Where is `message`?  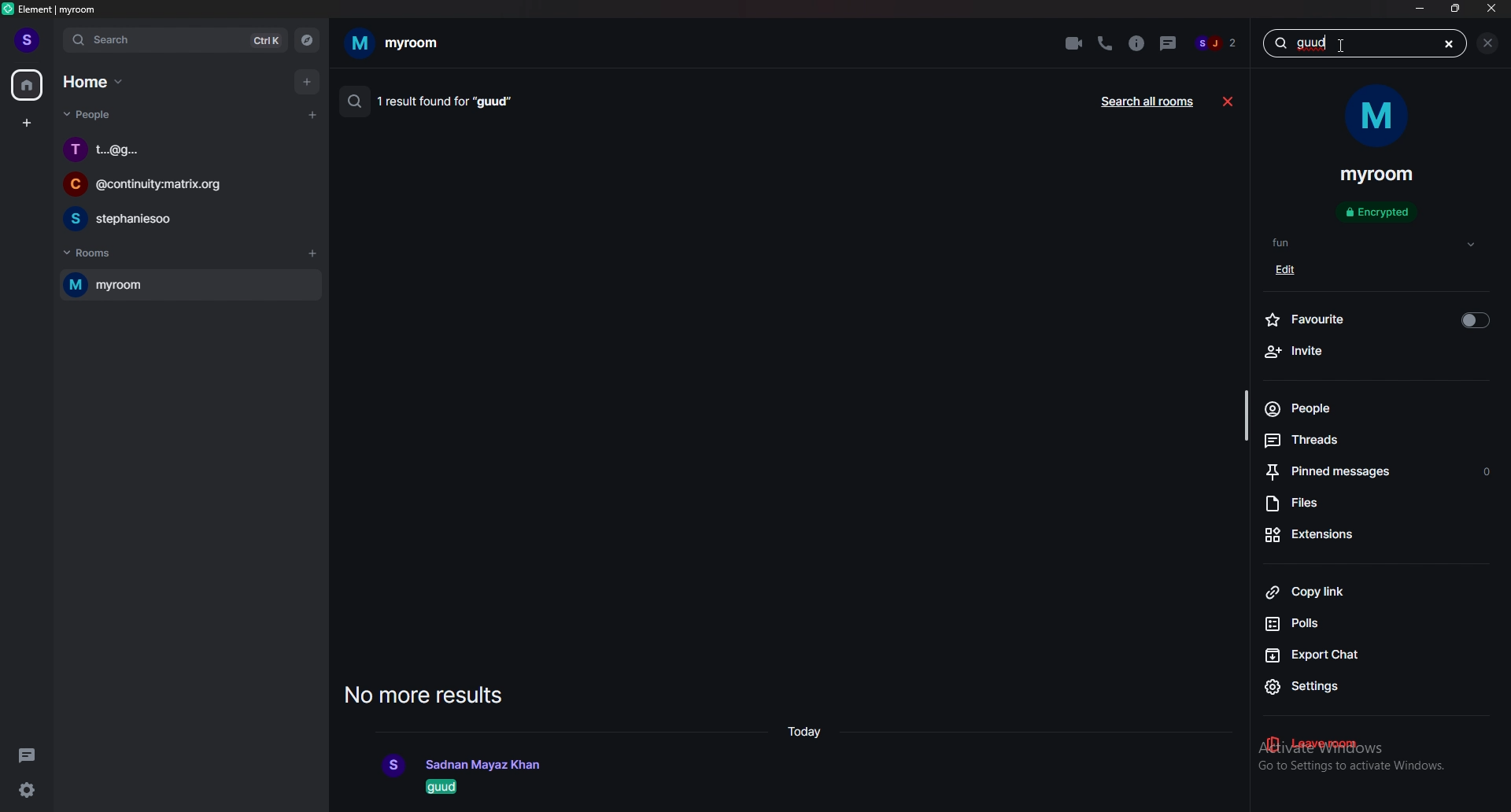
message is located at coordinates (1312, 43).